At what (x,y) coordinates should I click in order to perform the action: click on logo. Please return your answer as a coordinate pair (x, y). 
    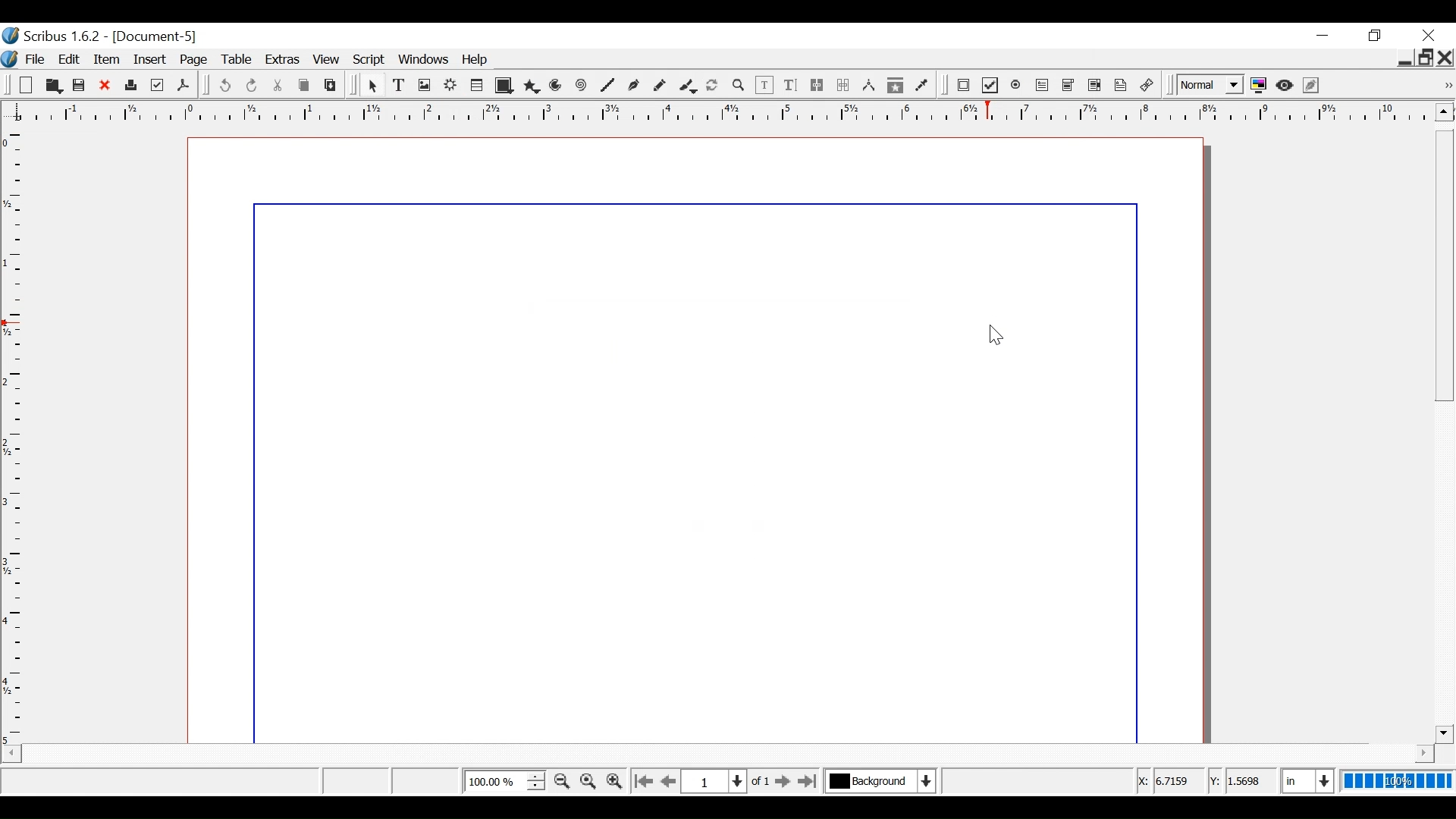
    Looking at the image, I should click on (9, 58).